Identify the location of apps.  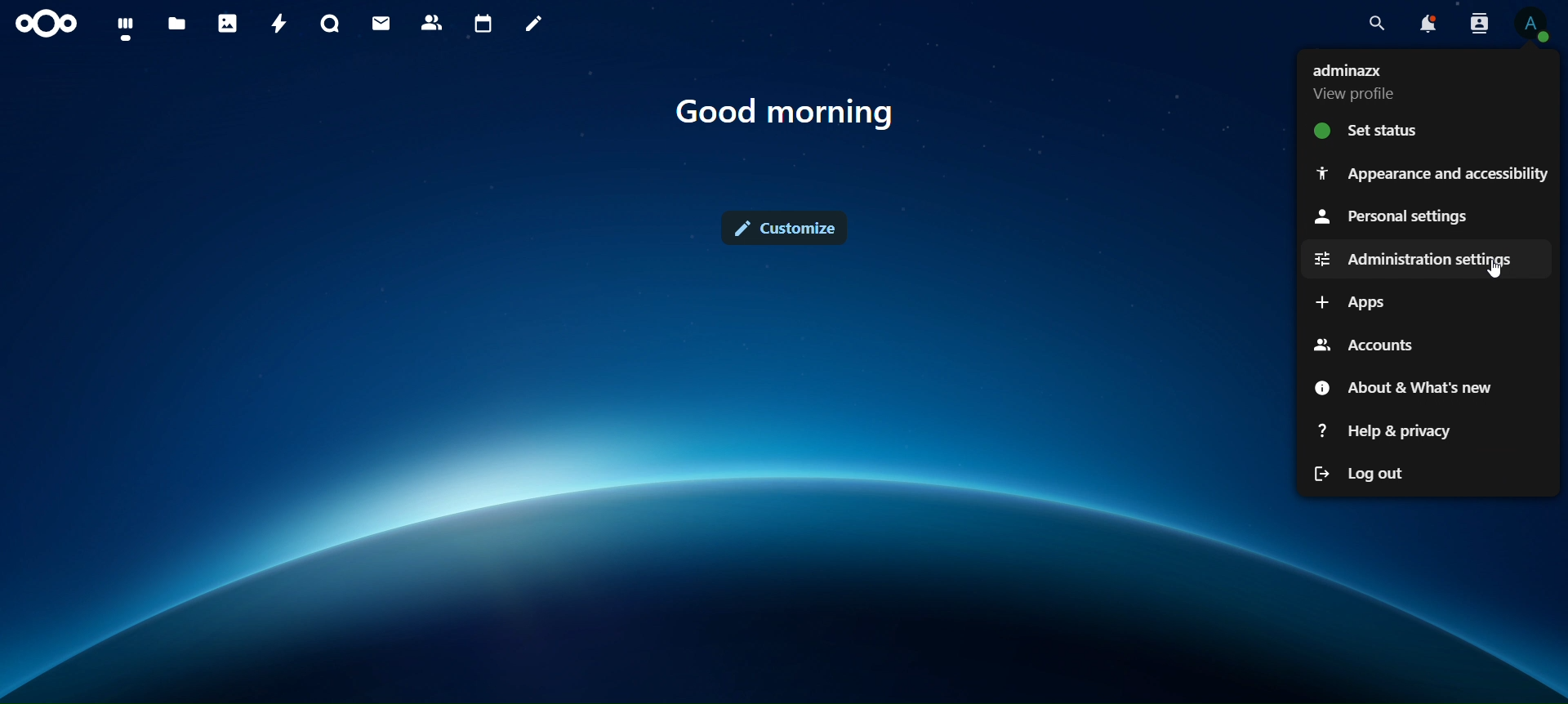
(1356, 302).